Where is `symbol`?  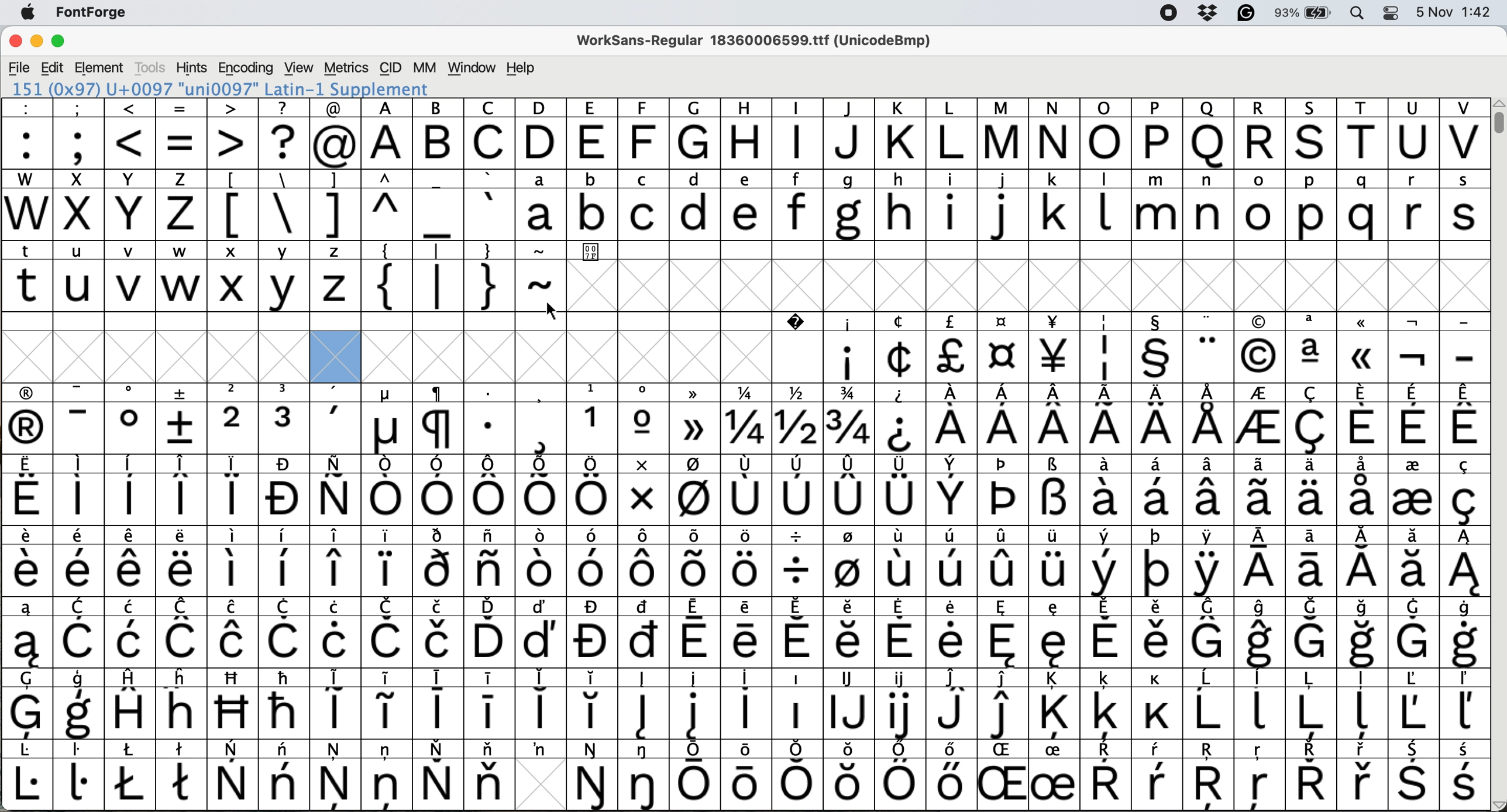
symbol is located at coordinates (748, 490).